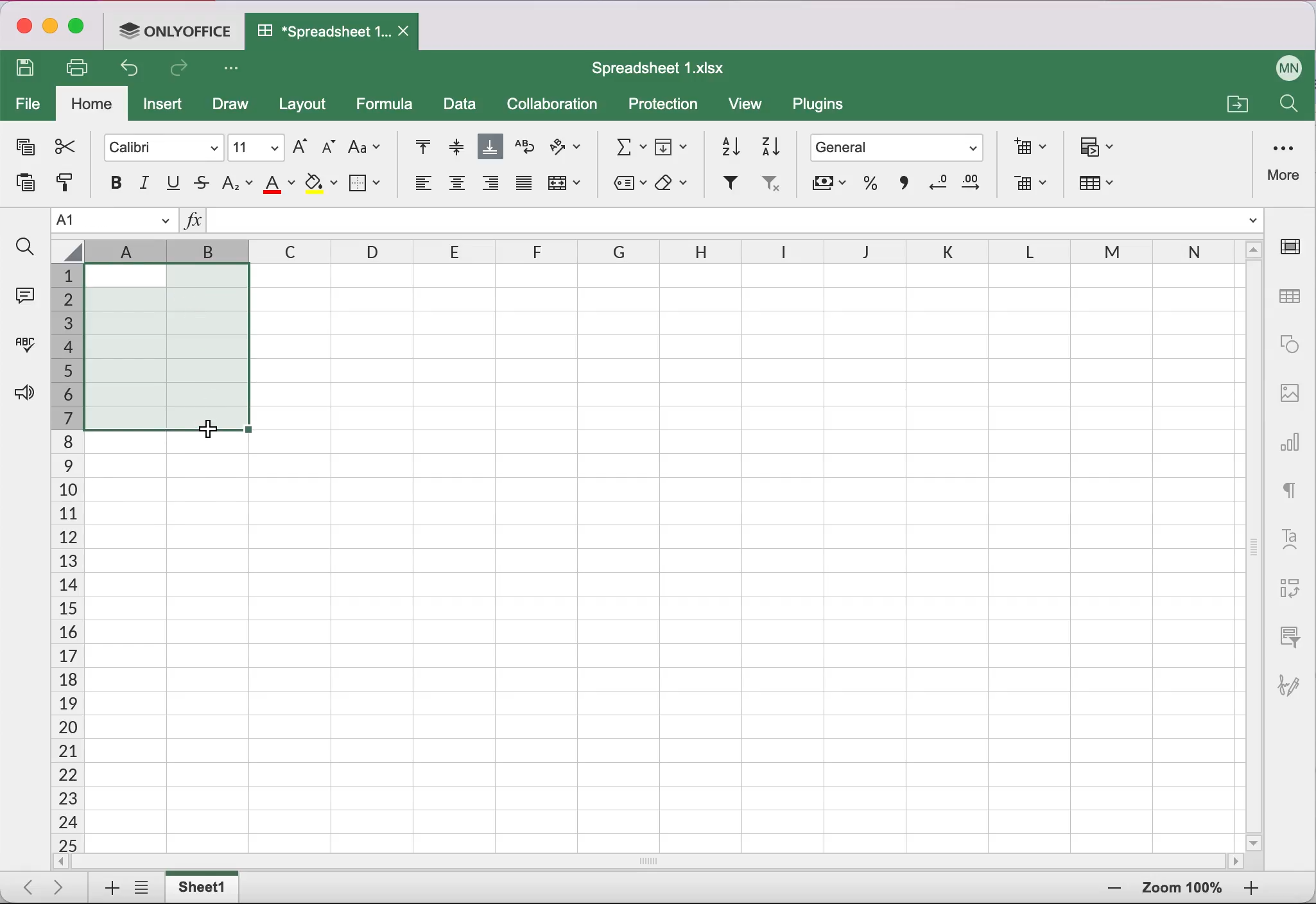 The height and width of the screenshot is (904, 1316). What do you see at coordinates (725, 144) in the screenshot?
I see `sort ascending` at bounding box center [725, 144].